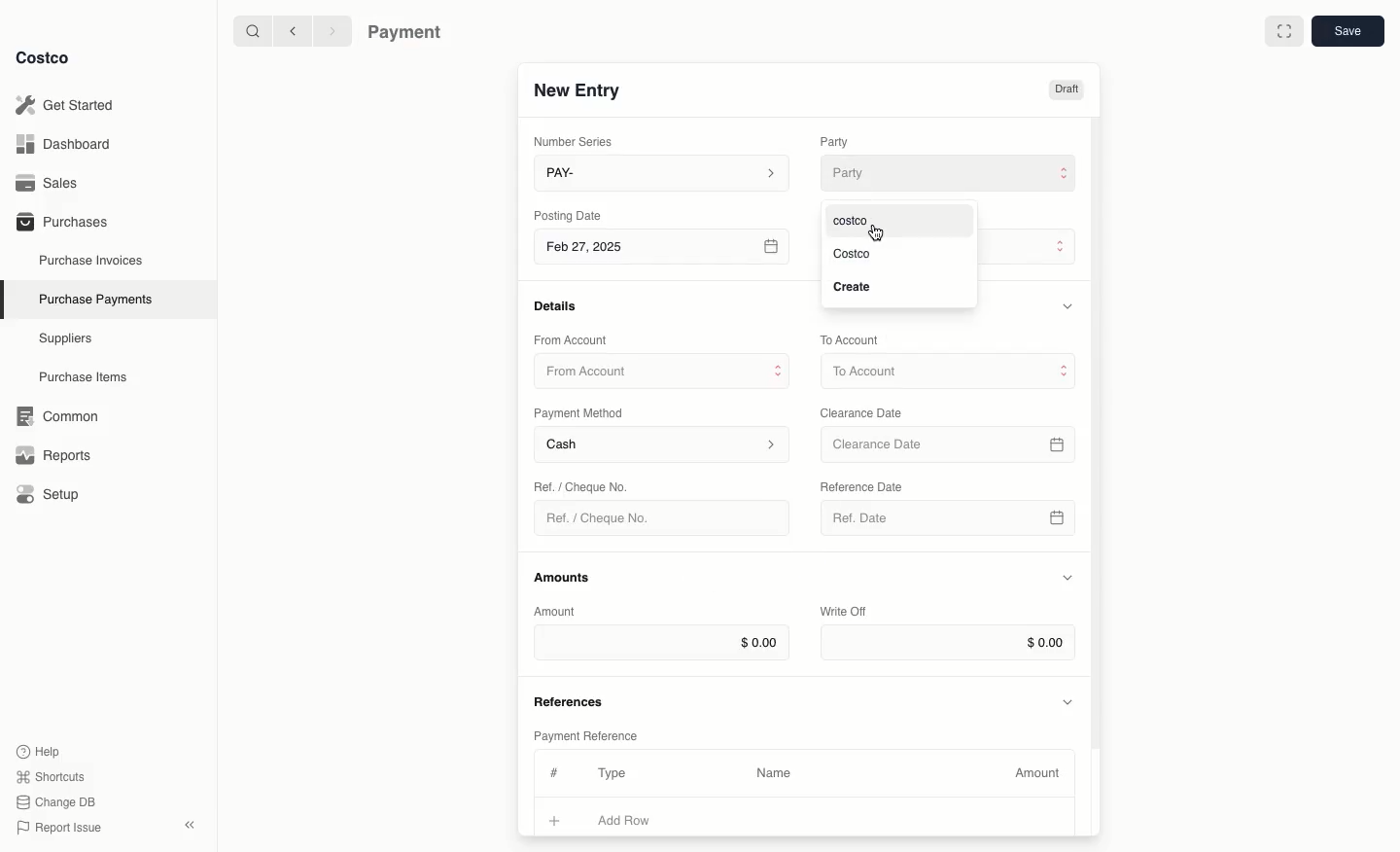 Image resolution: width=1400 pixels, height=852 pixels. What do you see at coordinates (616, 773) in the screenshot?
I see `Type` at bounding box center [616, 773].